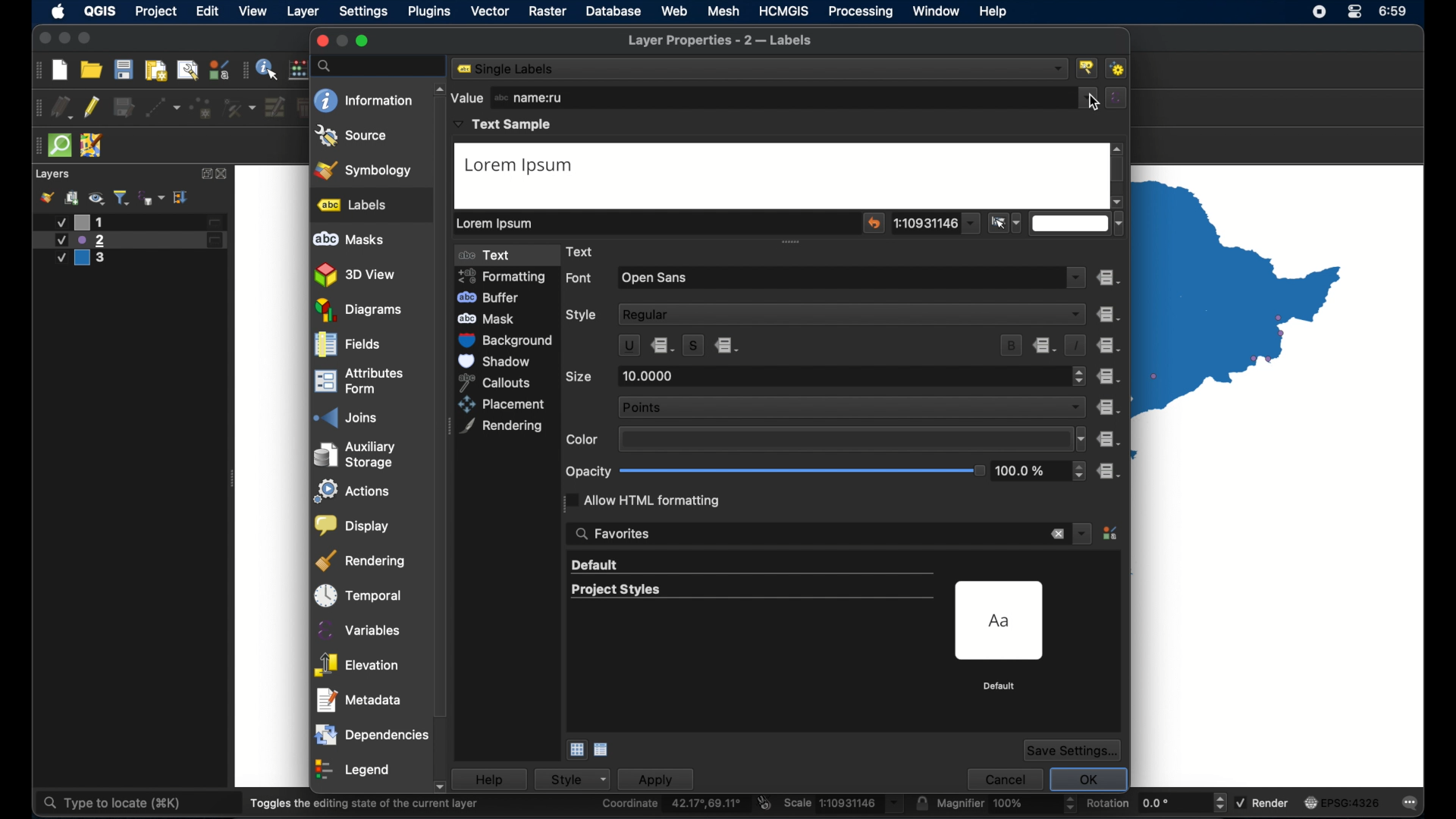  Describe the element at coordinates (446, 786) in the screenshot. I see `scroll down arrow` at that location.